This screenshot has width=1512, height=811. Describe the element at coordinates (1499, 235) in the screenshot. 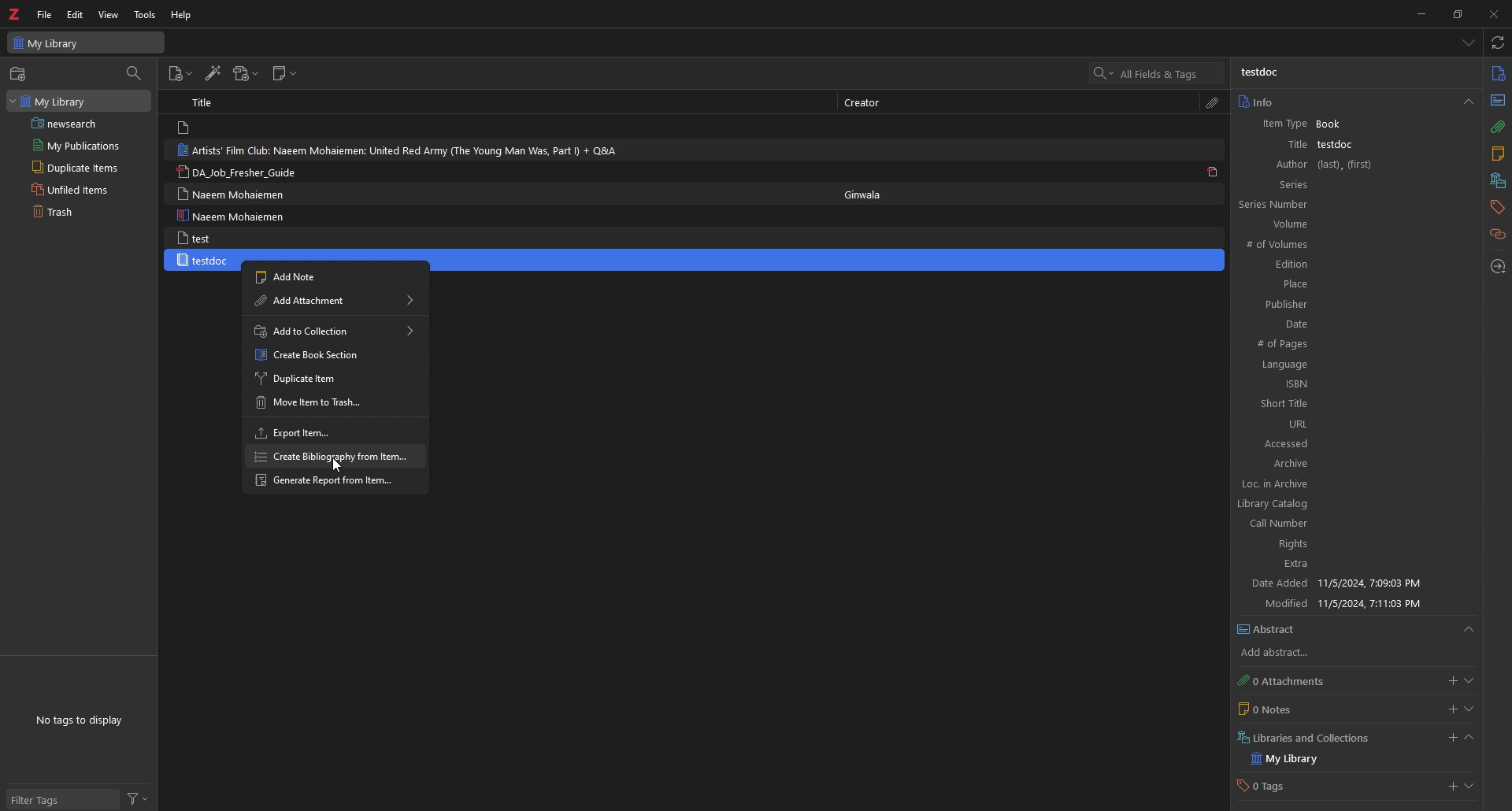

I see `related` at that location.